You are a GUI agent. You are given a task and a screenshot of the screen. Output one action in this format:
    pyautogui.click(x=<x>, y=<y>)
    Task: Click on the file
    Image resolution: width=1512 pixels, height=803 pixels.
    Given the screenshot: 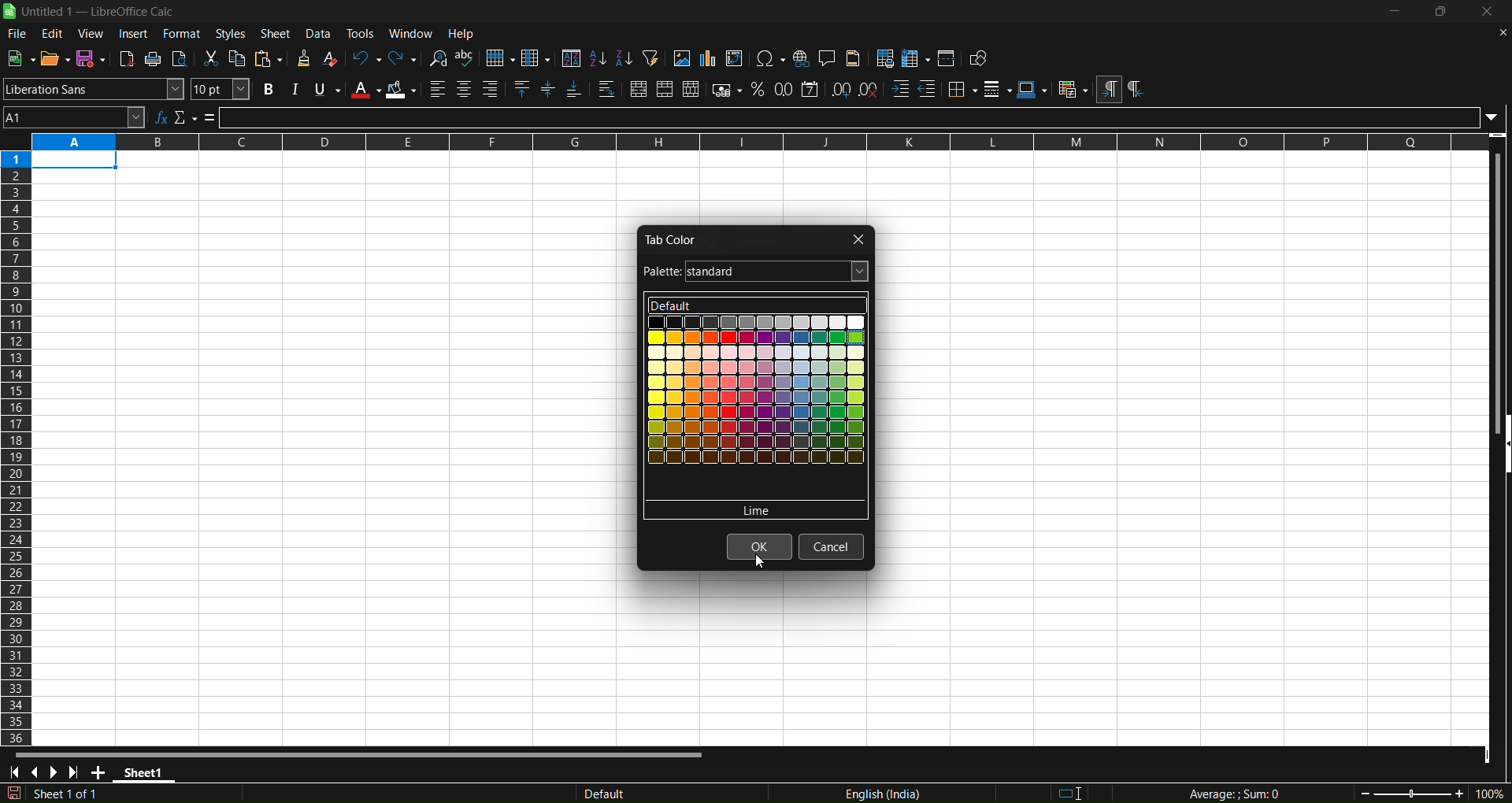 What is the action you would take?
    pyautogui.click(x=15, y=35)
    